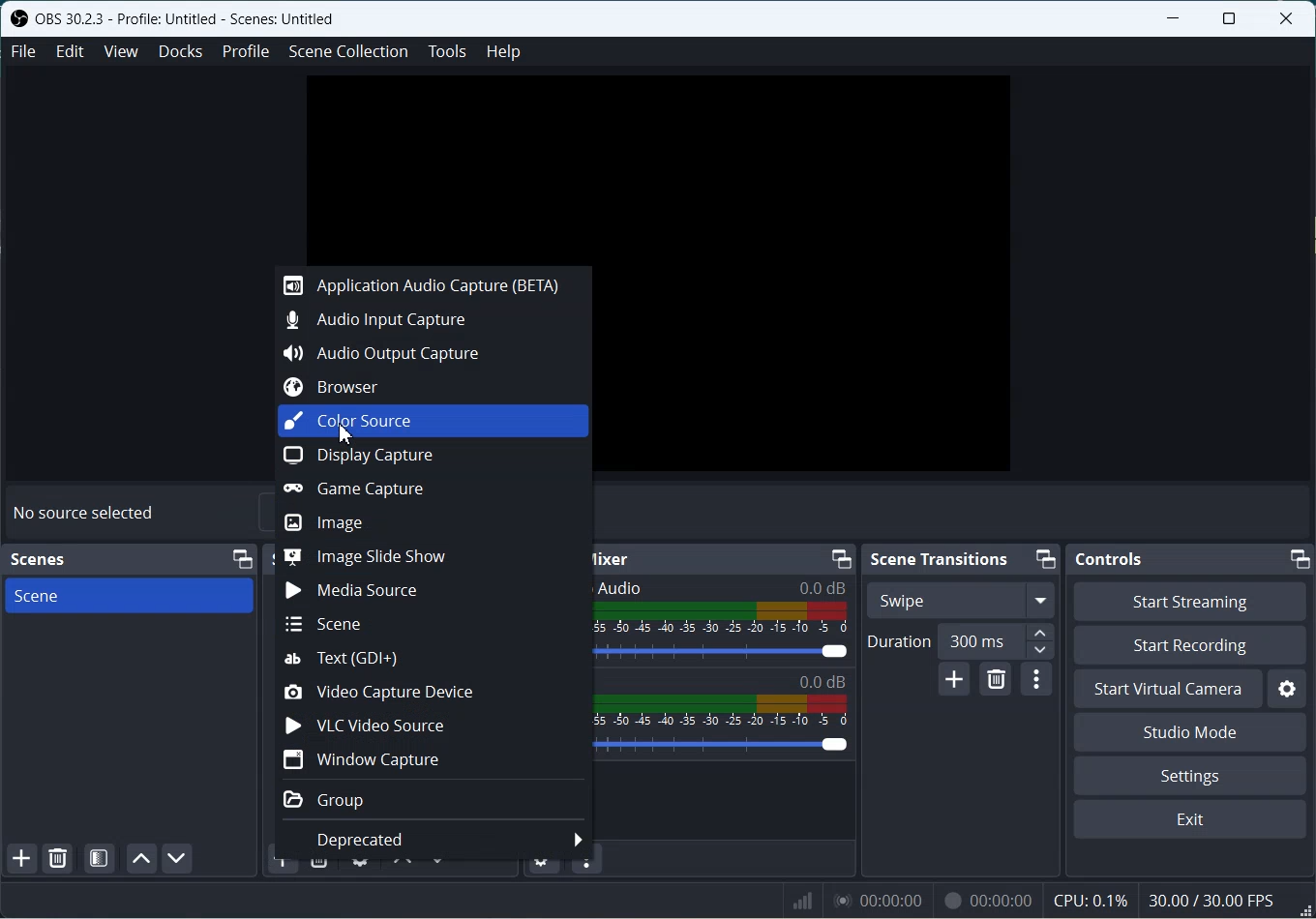 The image size is (1316, 919). I want to click on Start Streaming, so click(1190, 601).